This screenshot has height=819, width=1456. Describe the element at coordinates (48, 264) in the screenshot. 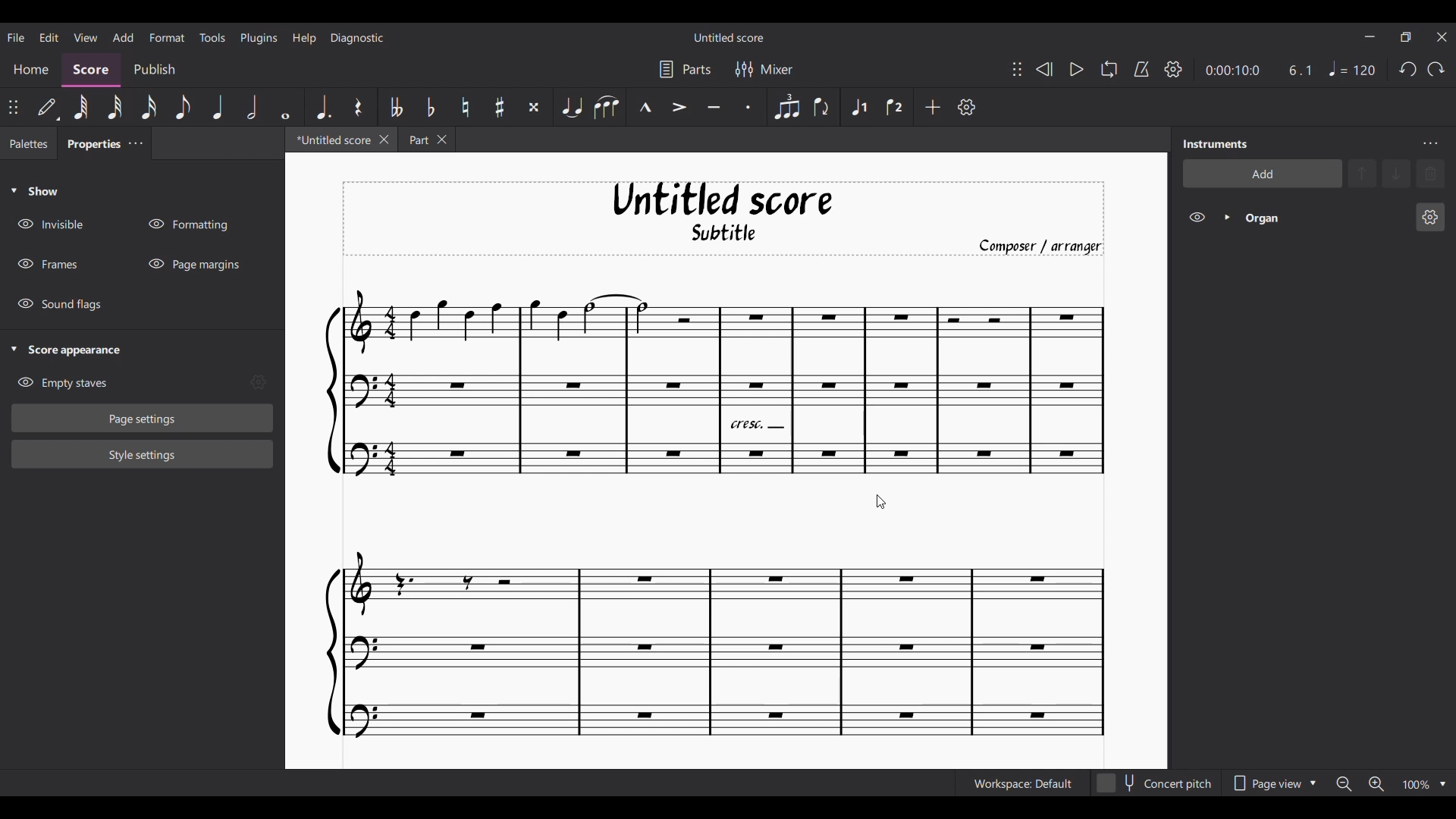

I see `Hide Frames` at that location.